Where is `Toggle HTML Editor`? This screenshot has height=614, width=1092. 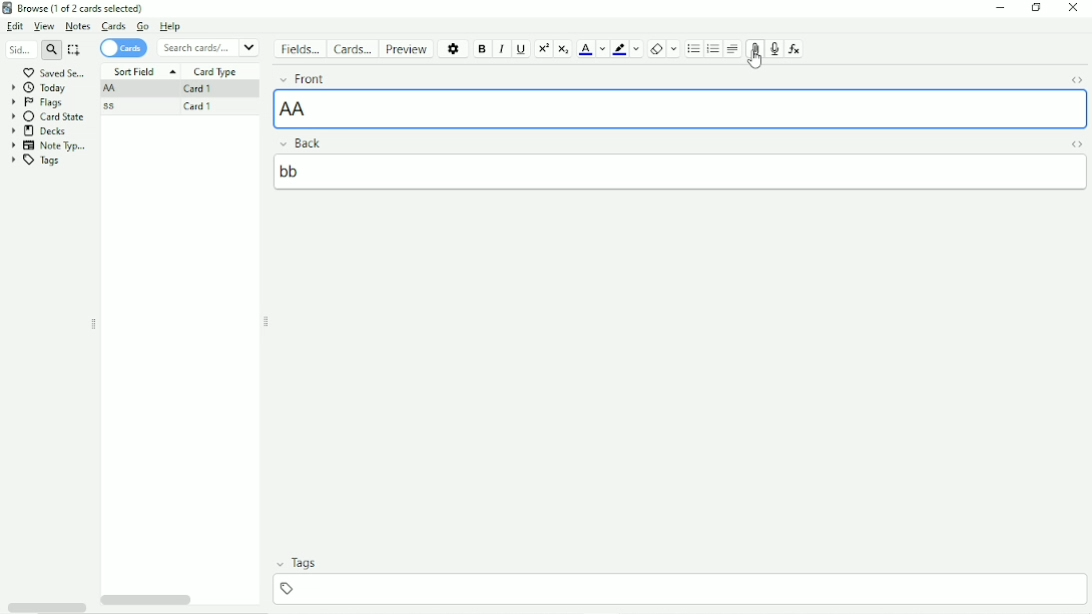 Toggle HTML Editor is located at coordinates (41, 608).